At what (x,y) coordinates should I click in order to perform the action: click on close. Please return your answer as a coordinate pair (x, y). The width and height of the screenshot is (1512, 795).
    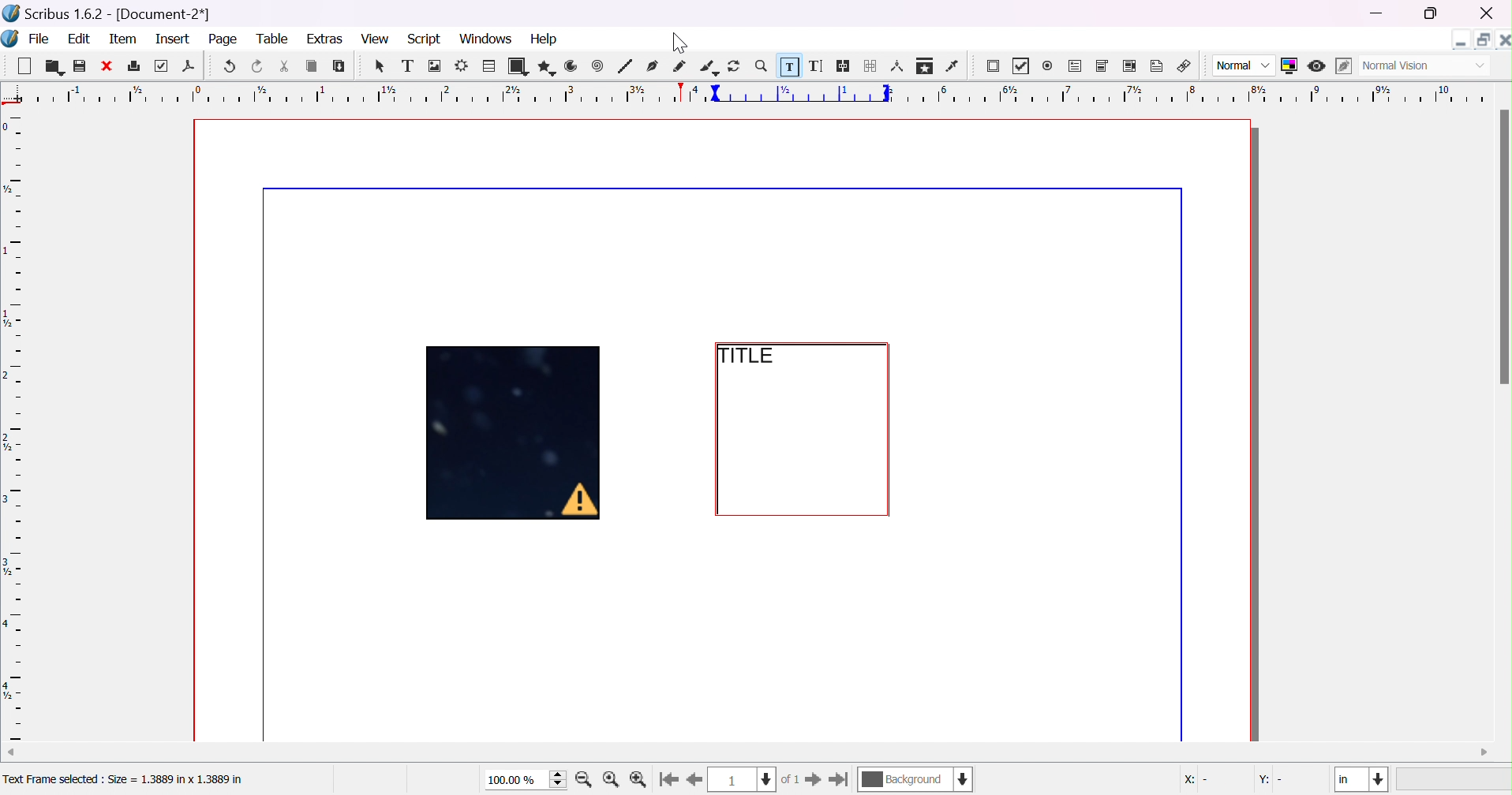
    Looking at the image, I should click on (1503, 38).